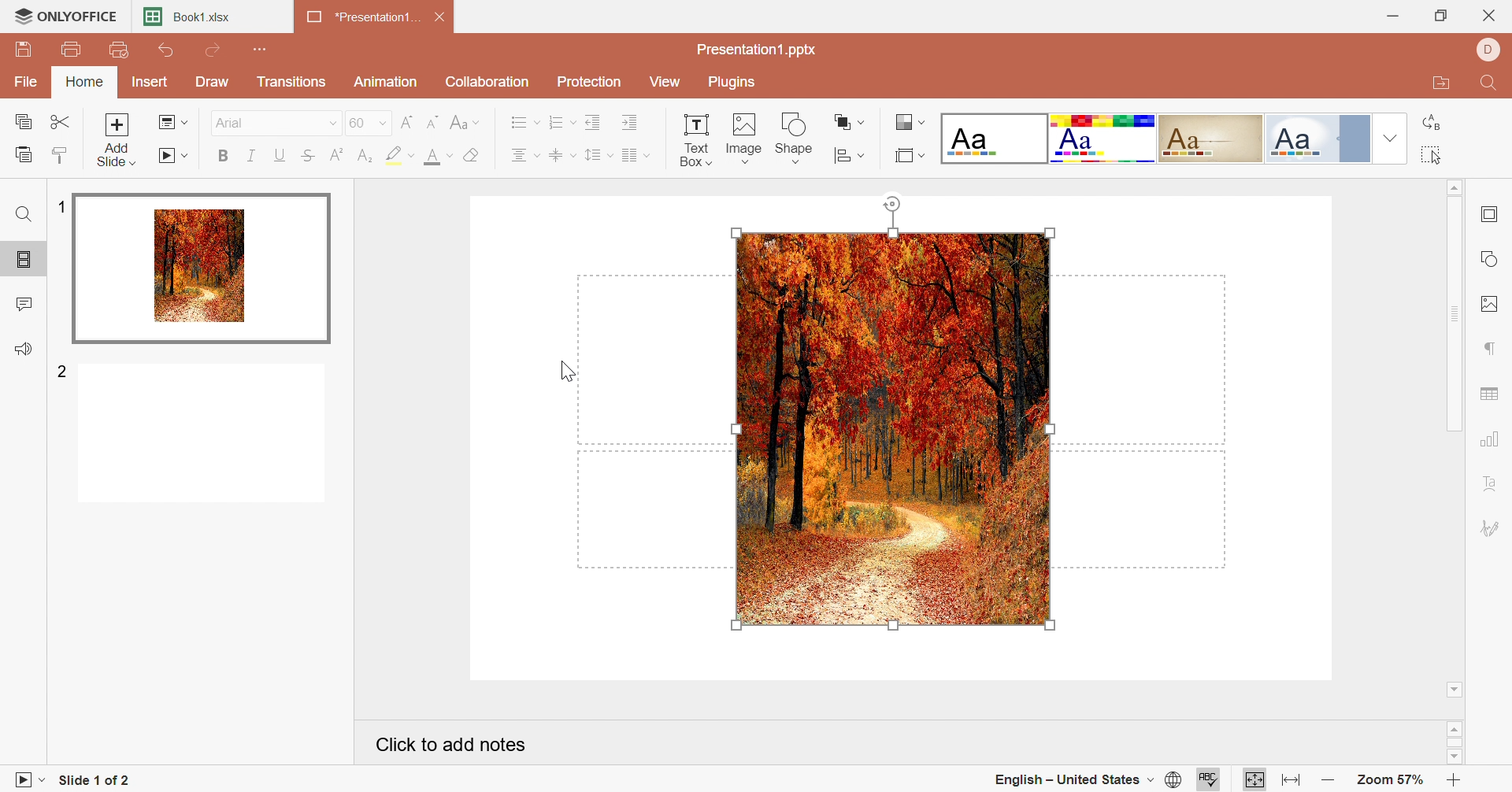 The width and height of the screenshot is (1512, 792). I want to click on Set document language, so click(1177, 779).